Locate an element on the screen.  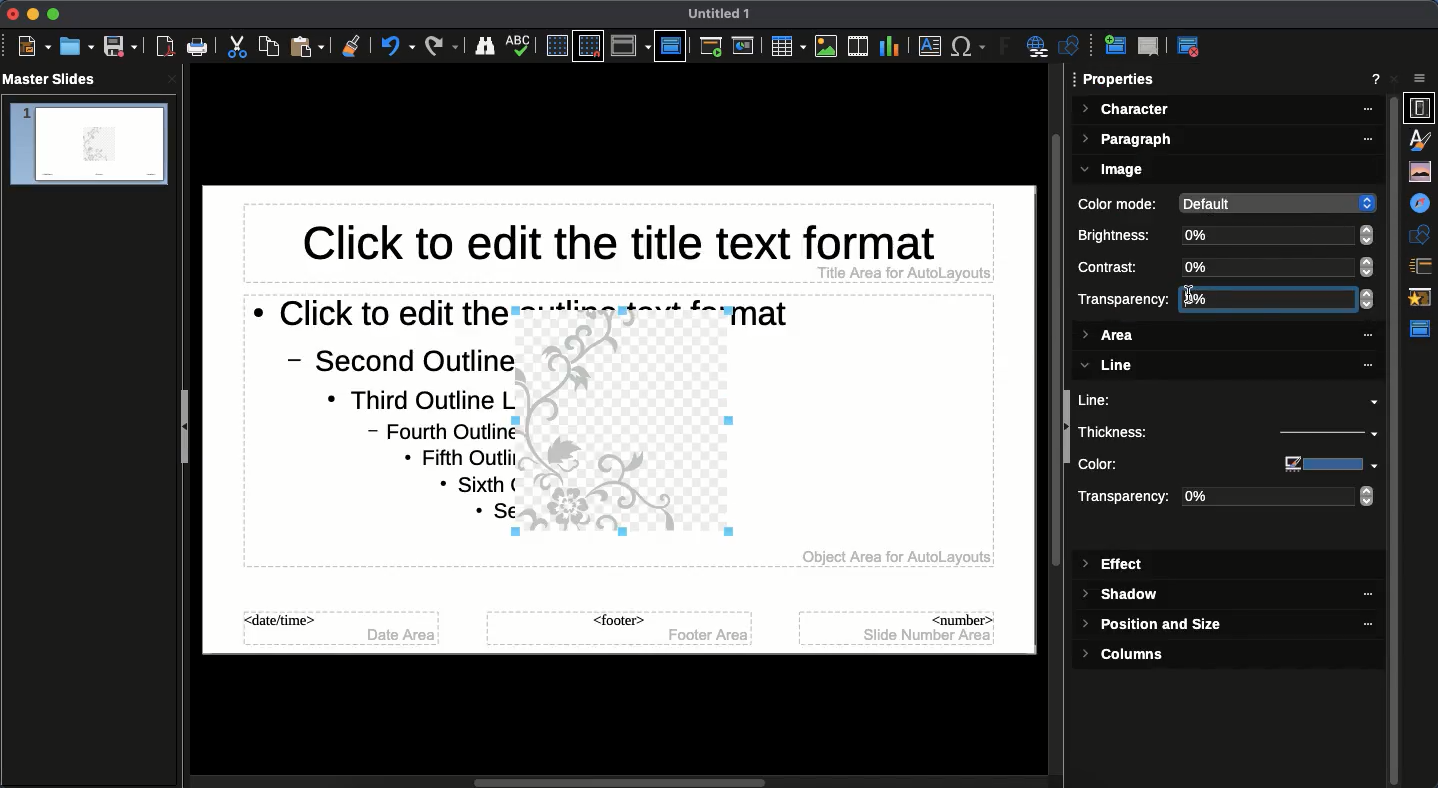
Special characters is located at coordinates (969, 47).